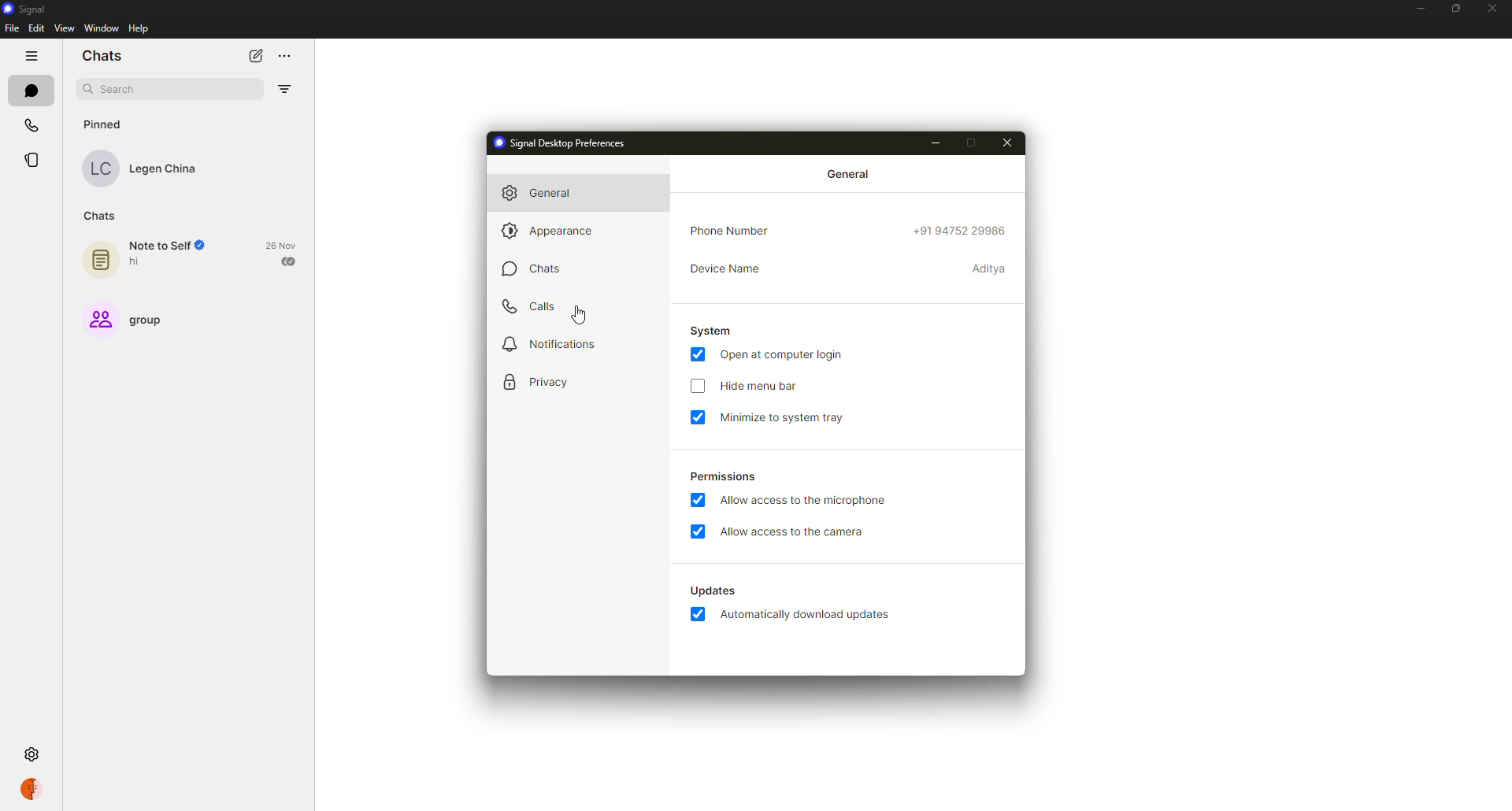 The width and height of the screenshot is (1512, 811). What do you see at coordinates (102, 169) in the screenshot?
I see `LC` at bounding box center [102, 169].